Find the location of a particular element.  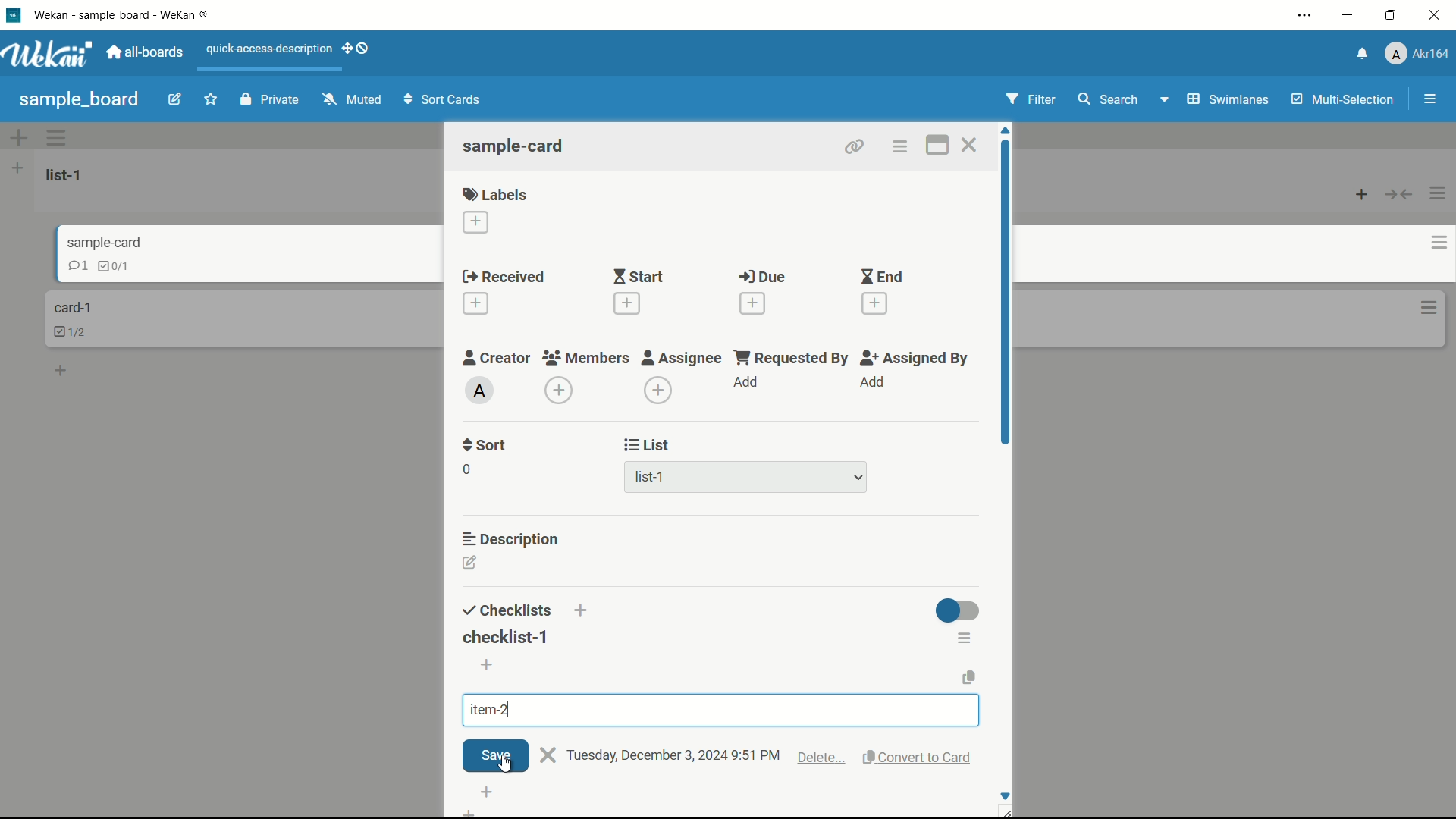

add date is located at coordinates (477, 303).